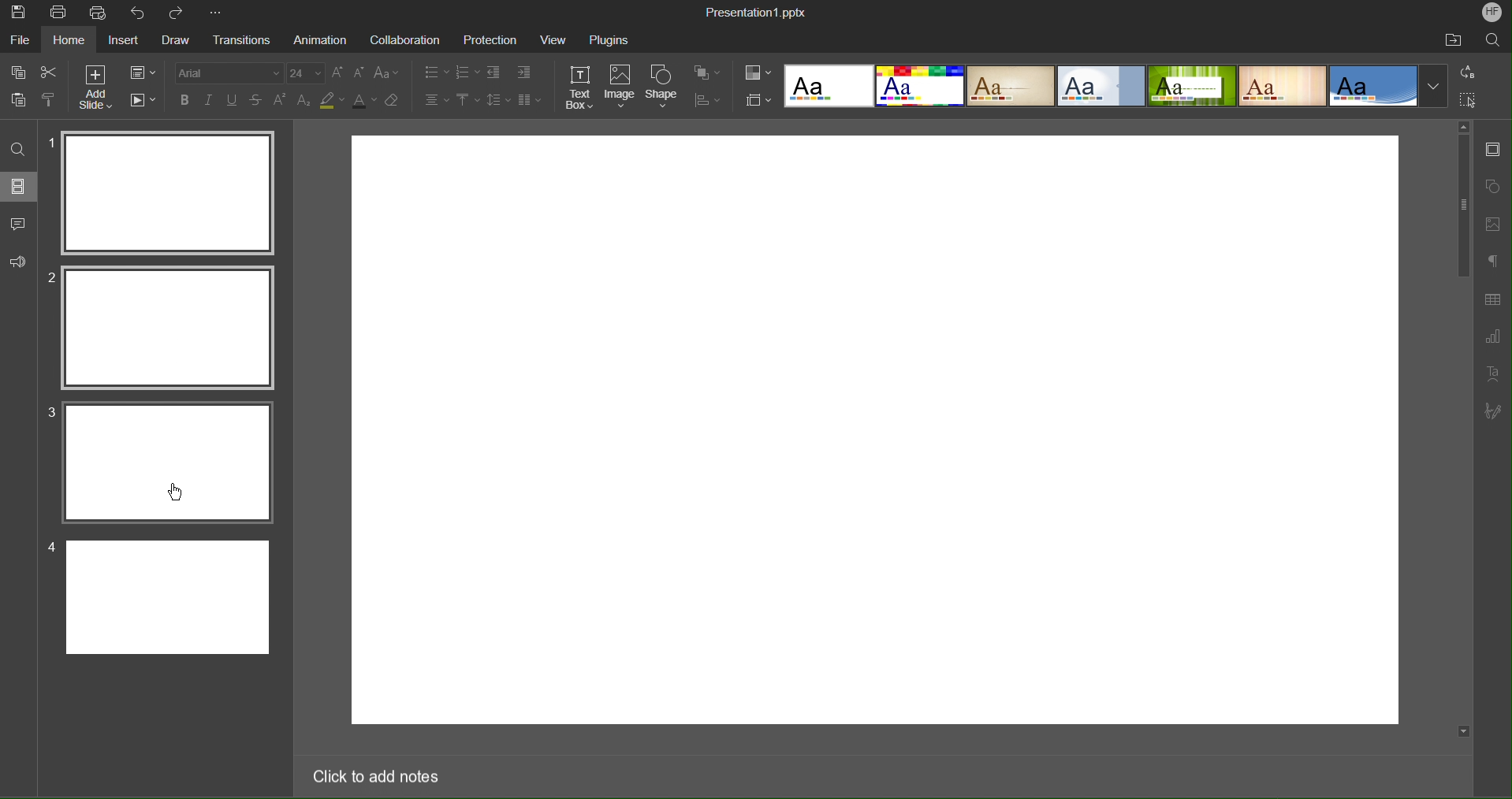 The image size is (1512, 799). What do you see at coordinates (1462, 732) in the screenshot?
I see `scroll down` at bounding box center [1462, 732].